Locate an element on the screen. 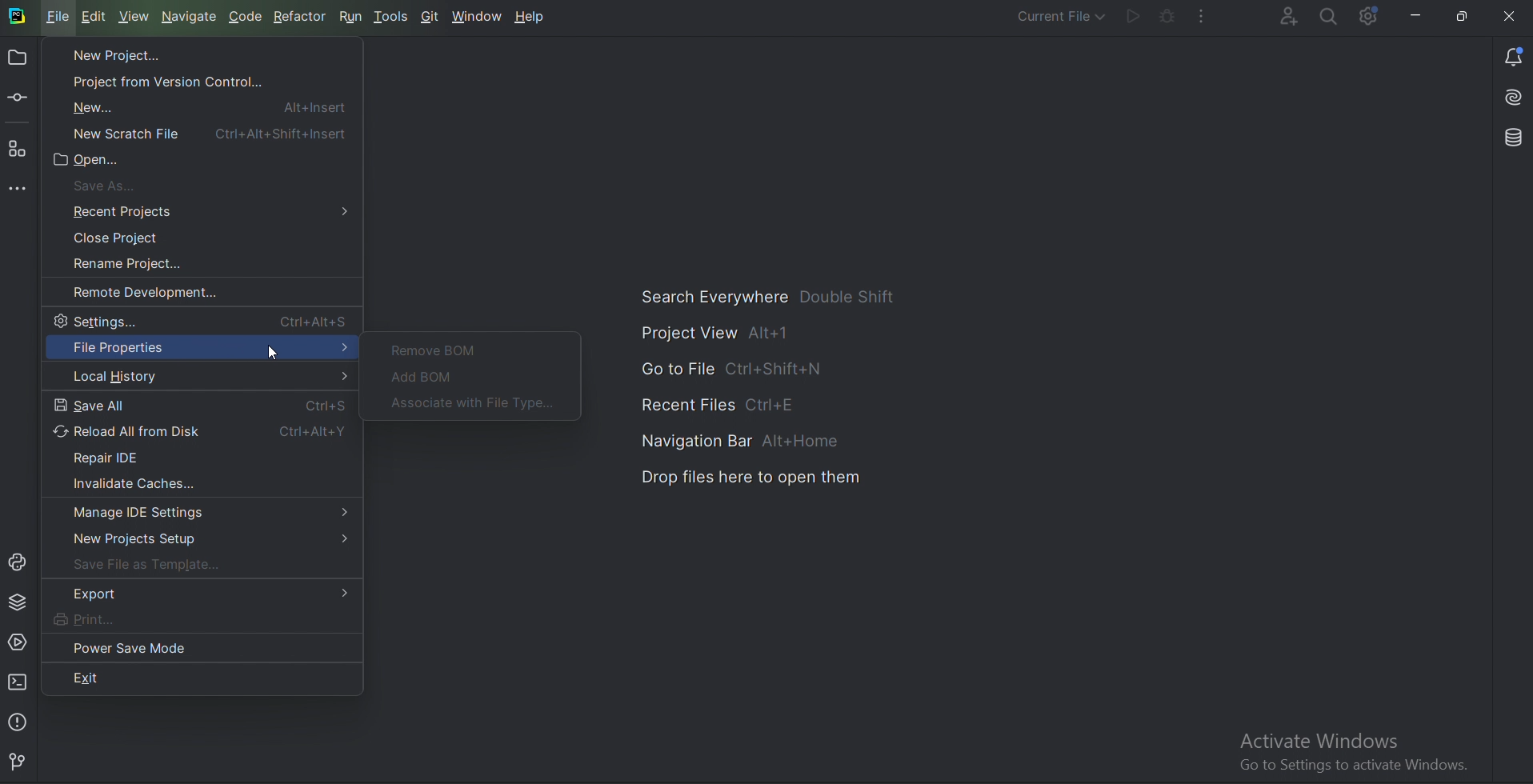 The height and width of the screenshot is (784, 1533). More tool windows is located at coordinates (22, 190).